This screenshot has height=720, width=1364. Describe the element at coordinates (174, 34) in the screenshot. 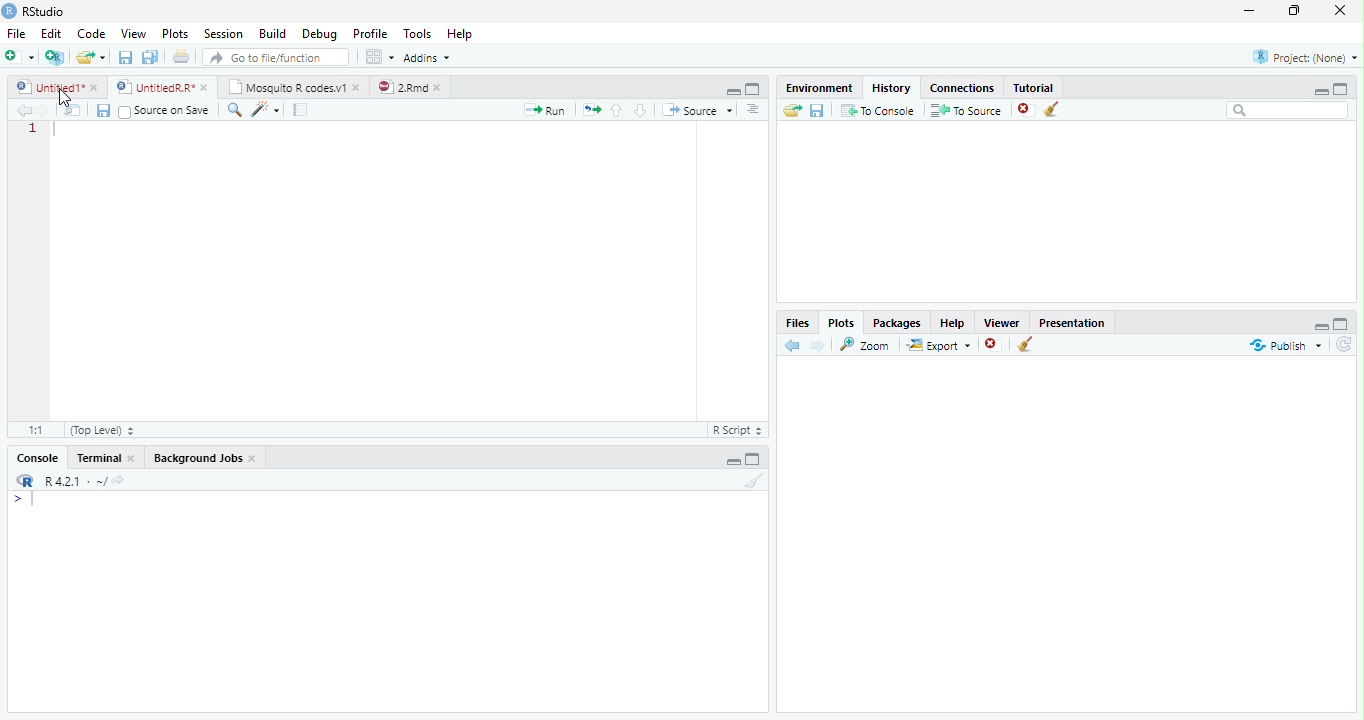

I see `Plots` at that location.